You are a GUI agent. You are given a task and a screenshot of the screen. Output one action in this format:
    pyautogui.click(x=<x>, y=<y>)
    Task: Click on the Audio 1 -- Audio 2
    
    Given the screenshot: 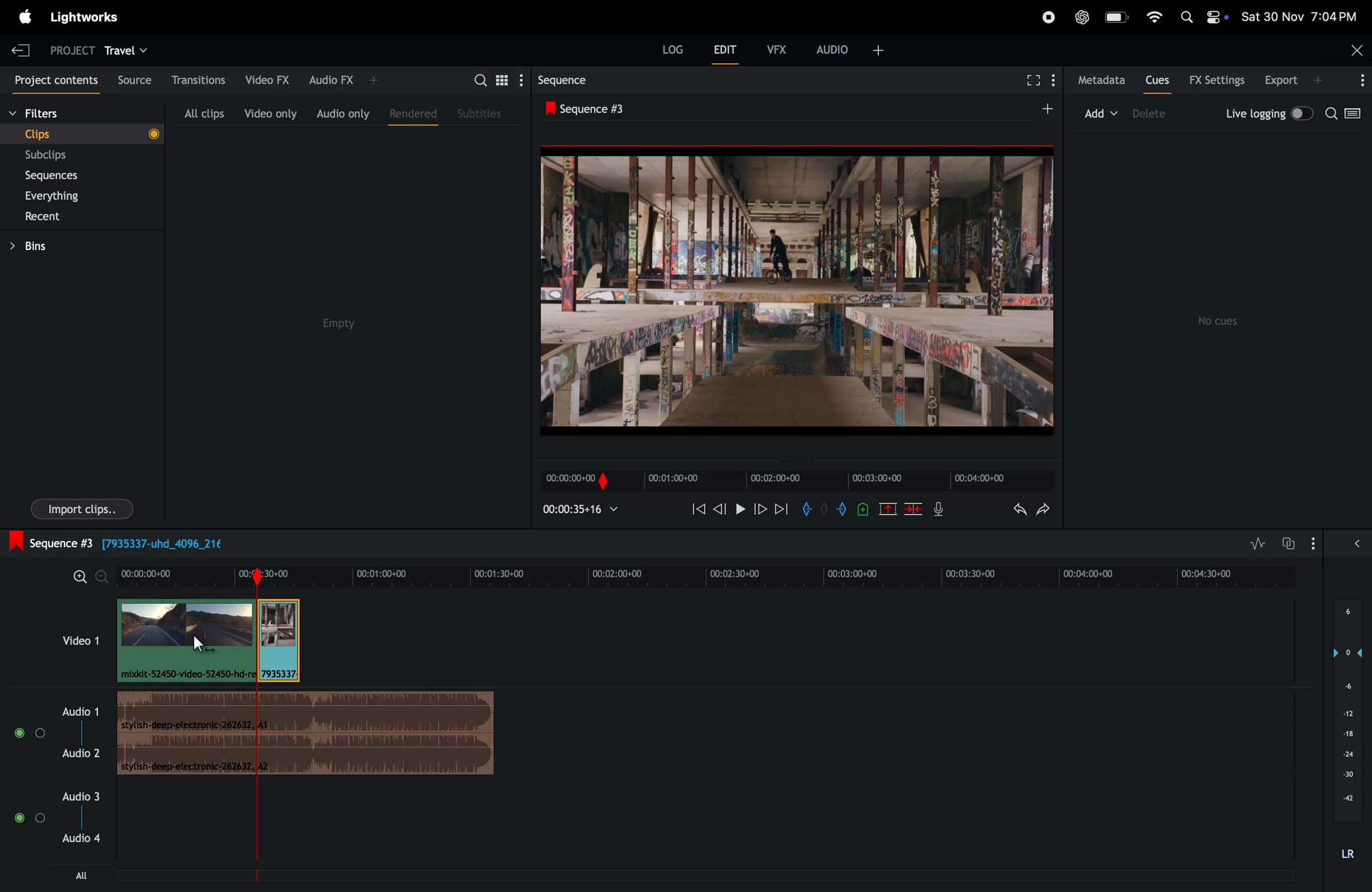 What is the action you would take?
    pyautogui.click(x=82, y=725)
    